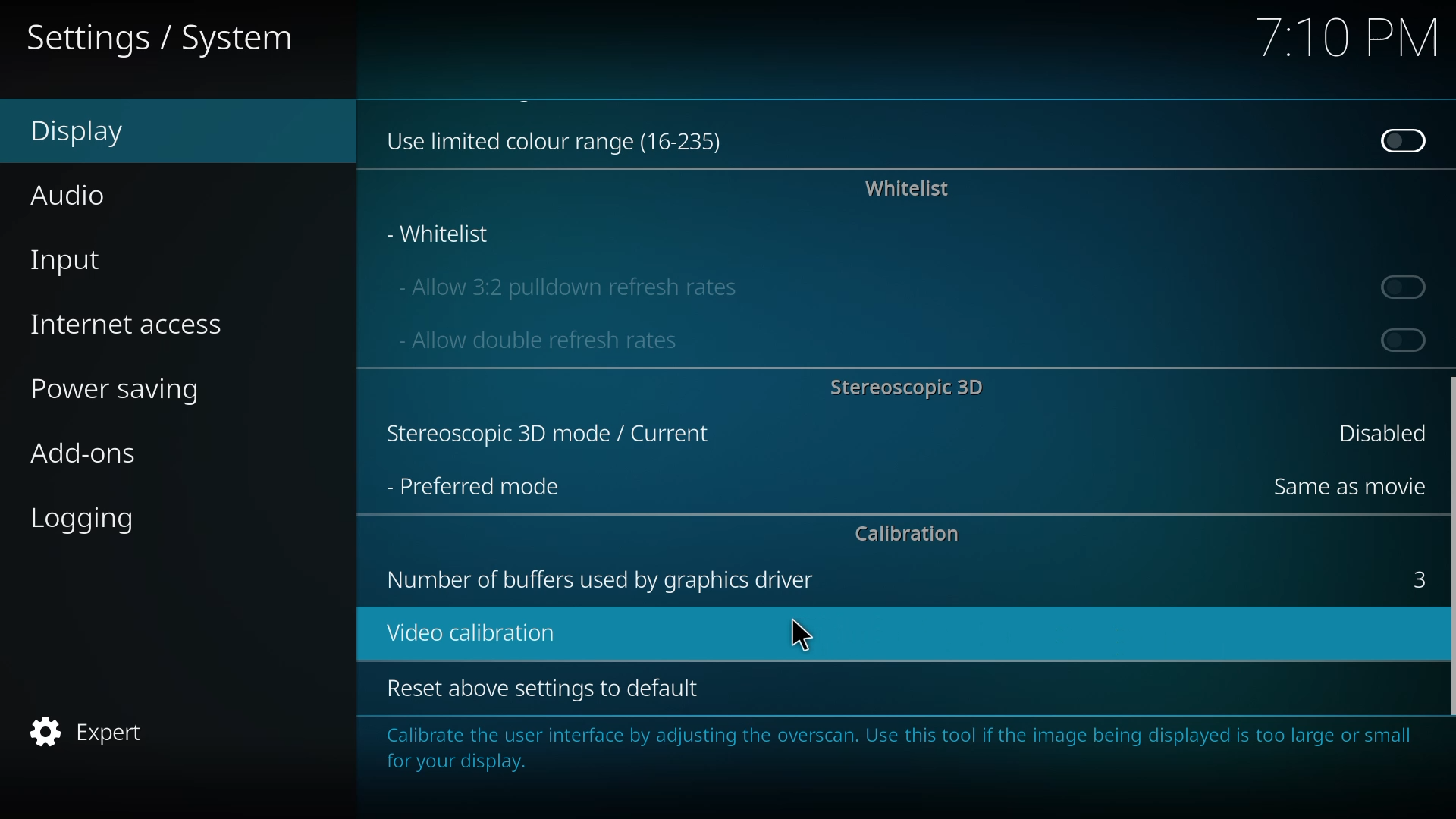 The image size is (1456, 819). Describe the element at coordinates (566, 284) in the screenshot. I see `allow 3:2 pulldown refresh rate` at that location.